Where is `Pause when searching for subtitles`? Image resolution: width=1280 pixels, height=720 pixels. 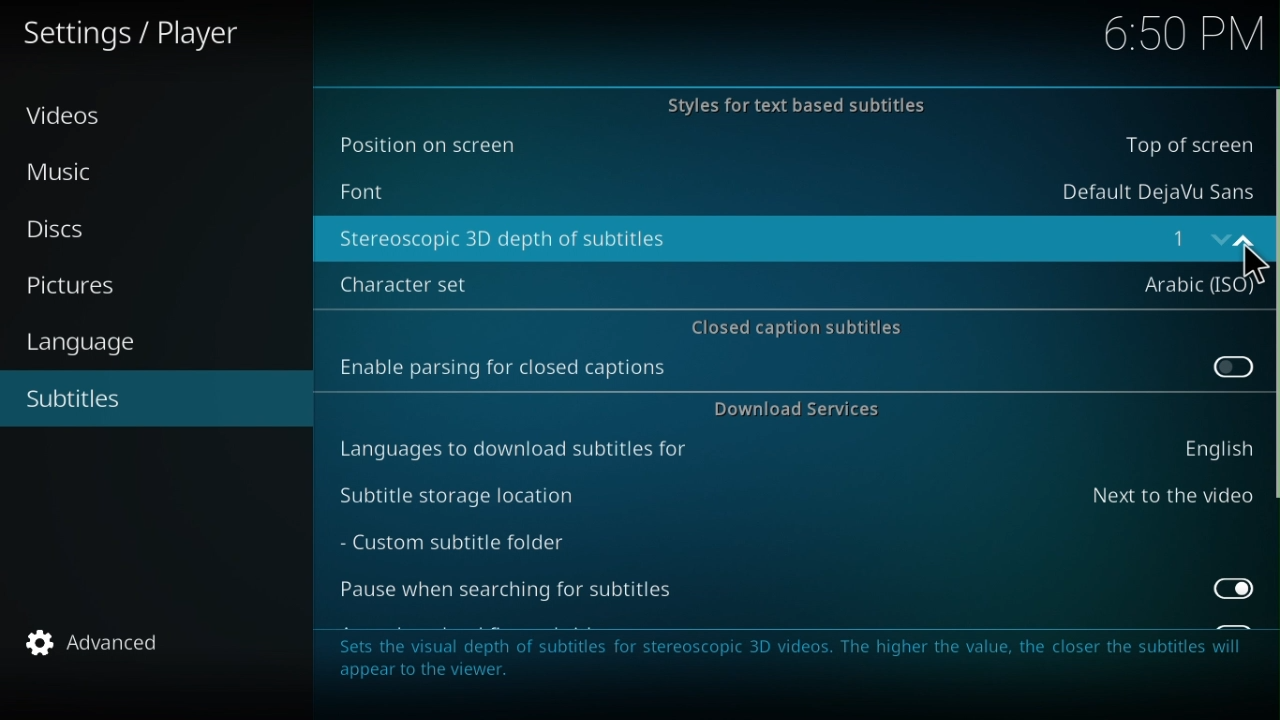
Pause when searching for subtitles is located at coordinates (799, 594).